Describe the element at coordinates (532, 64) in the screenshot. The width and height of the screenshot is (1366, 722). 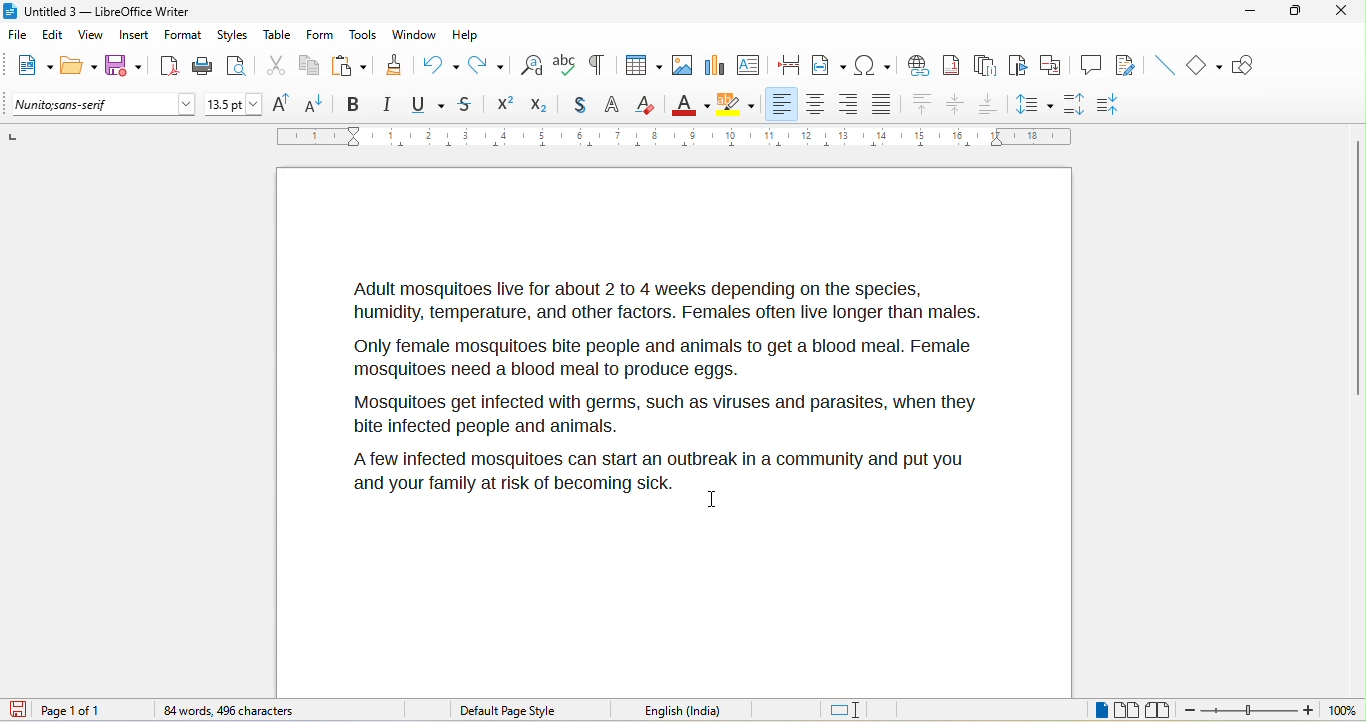
I see `find and replace` at that location.